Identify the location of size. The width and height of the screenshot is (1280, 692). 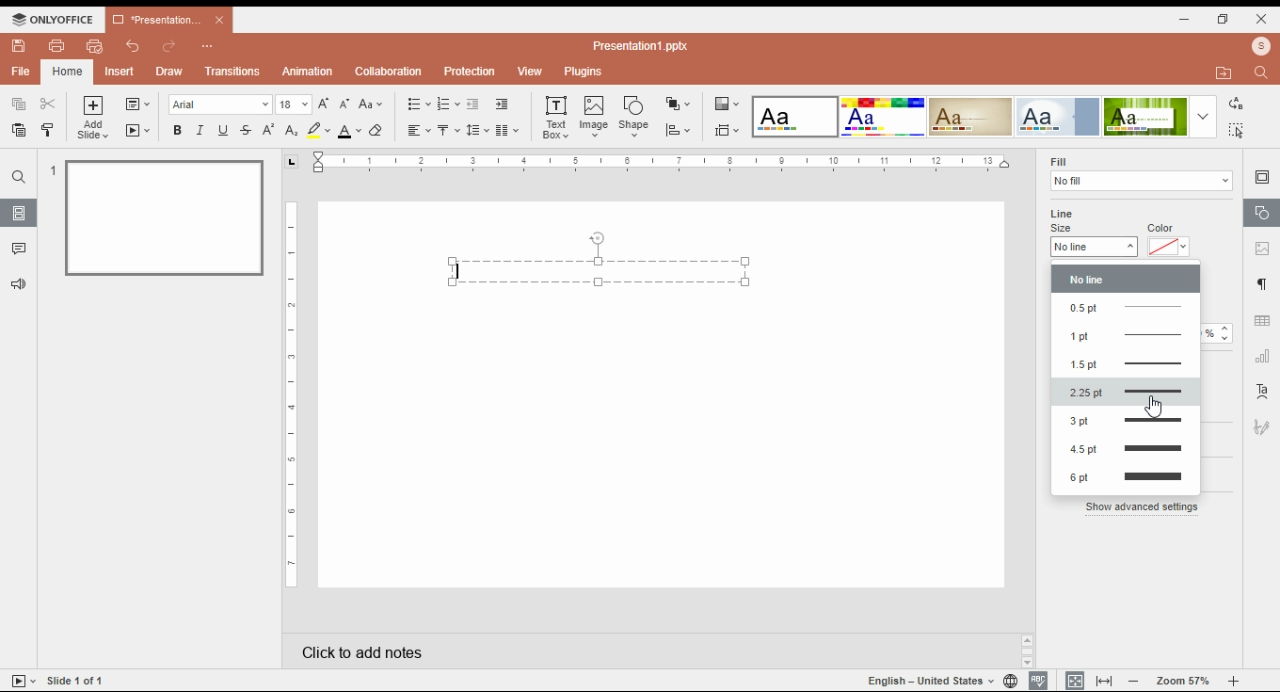
(1063, 228).